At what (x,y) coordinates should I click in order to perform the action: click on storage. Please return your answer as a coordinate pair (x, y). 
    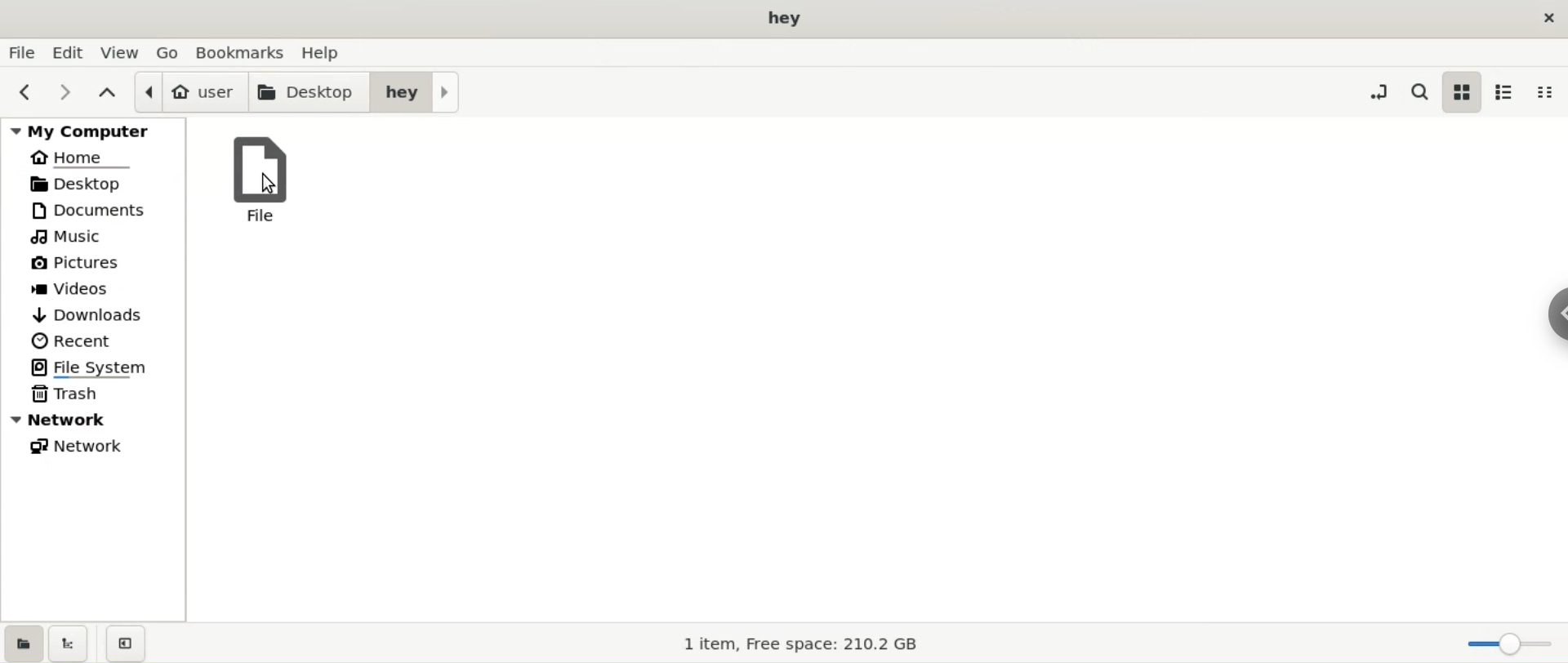
    Looking at the image, I should click on (805, 644).